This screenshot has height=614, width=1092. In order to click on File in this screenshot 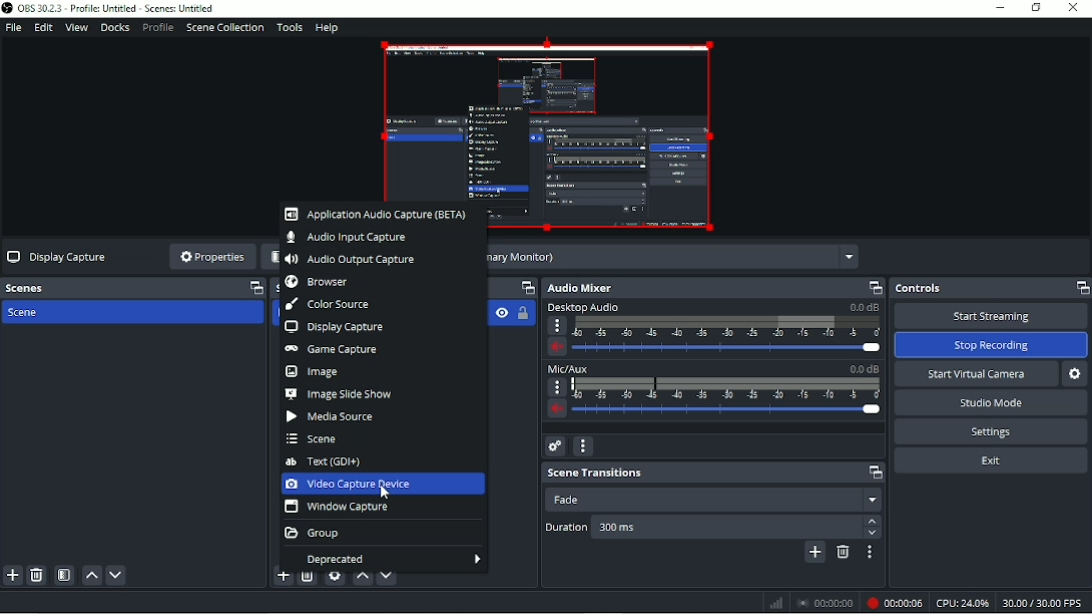, I will do `click(12, 27)`.